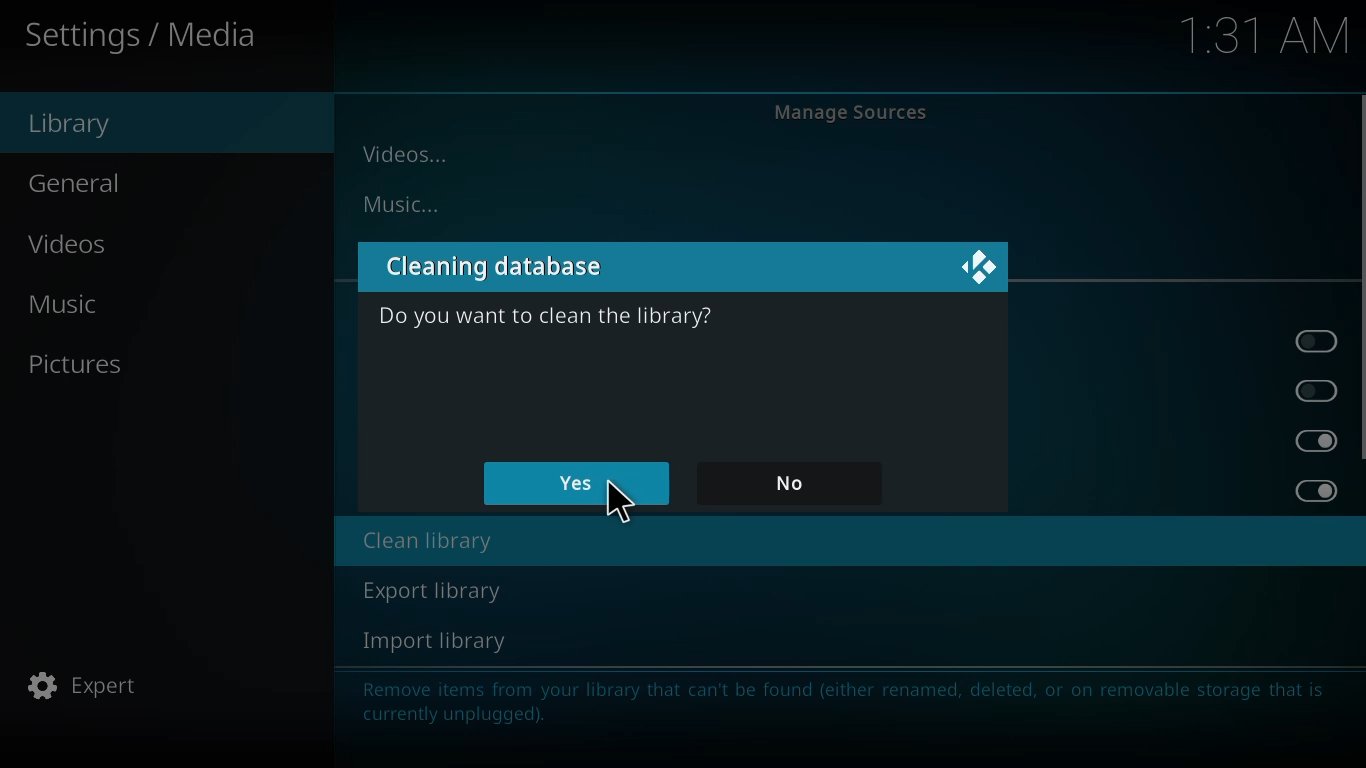 Image resolution: width=1366 pixels, height=768 pixels. I want to click on Videos, so click(65, 245).